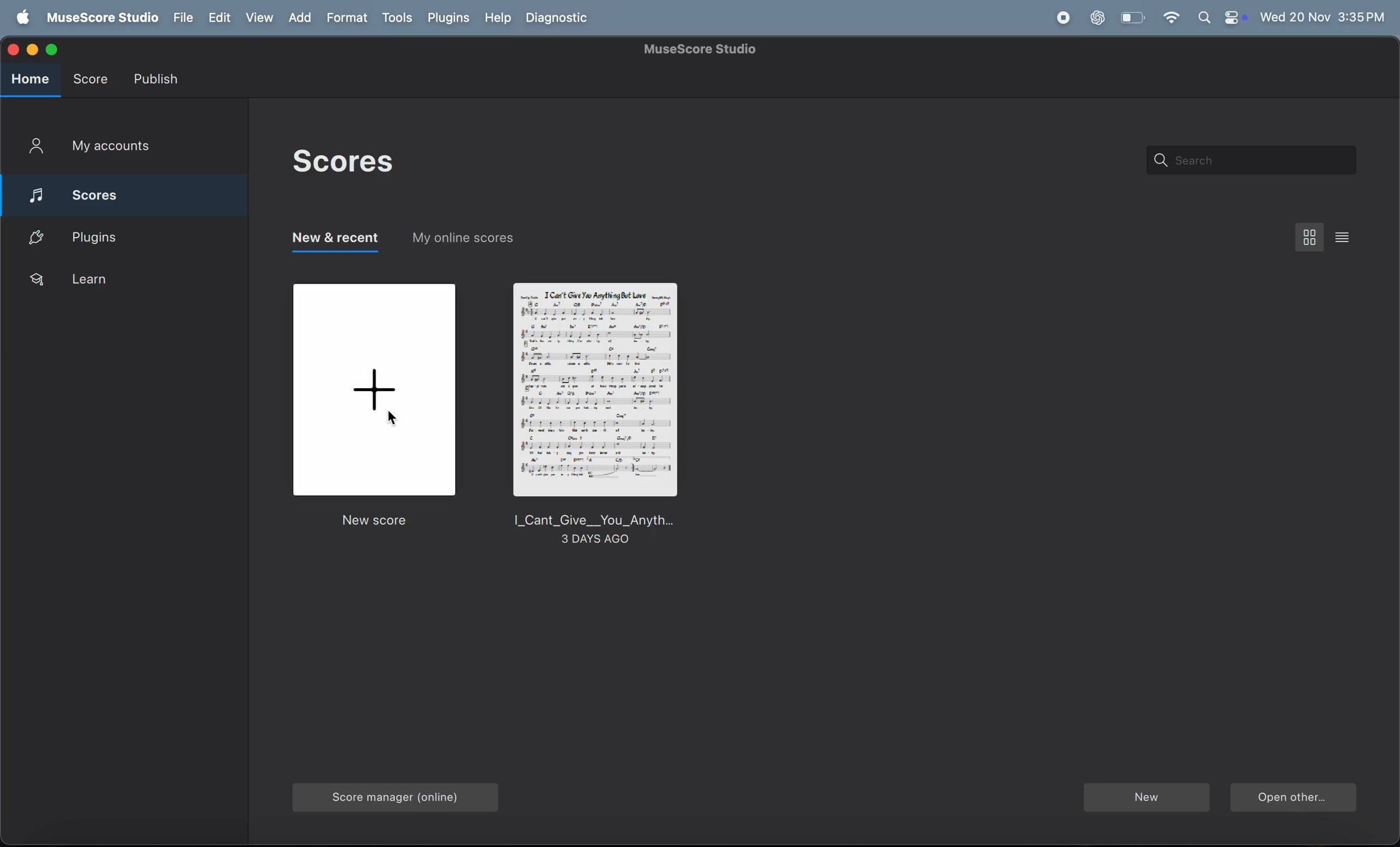 This screenshot has width=1400, height=847. I want to click on date and time, so click(1323, 15).